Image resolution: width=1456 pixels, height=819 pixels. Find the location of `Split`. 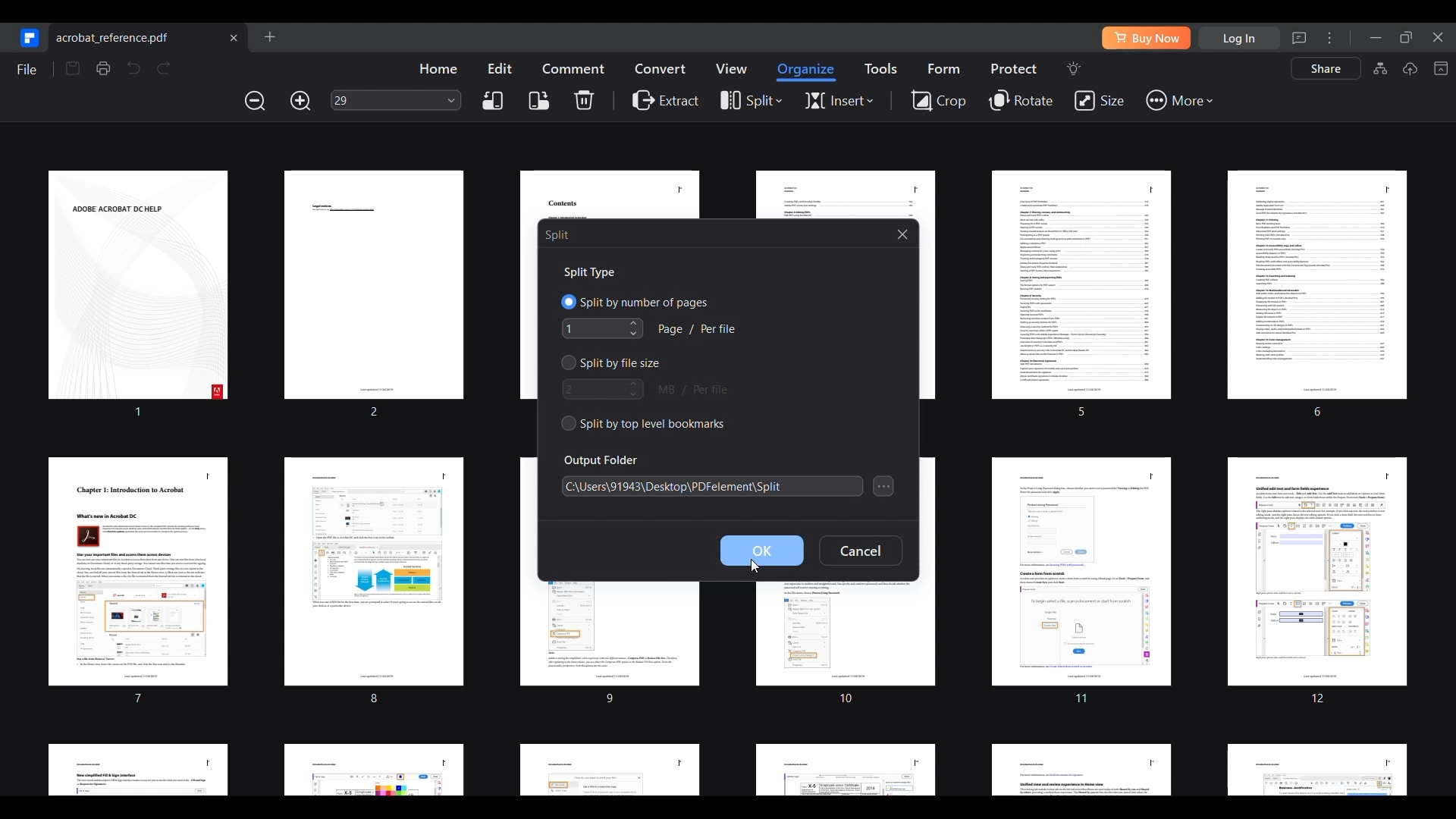

Split is located at coordinates (748, 102).